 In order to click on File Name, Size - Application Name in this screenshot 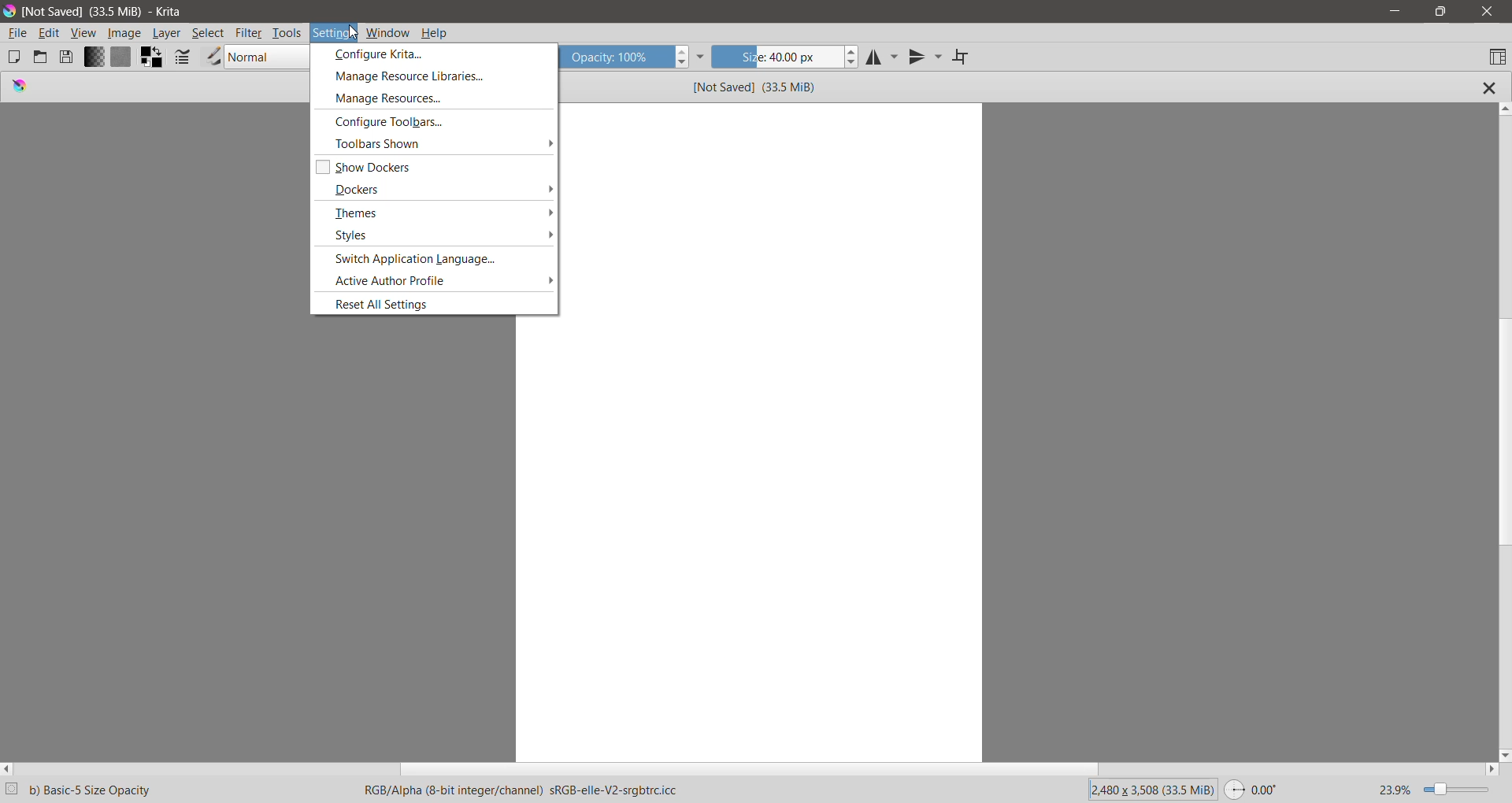, I will do `click(106, 11)`.